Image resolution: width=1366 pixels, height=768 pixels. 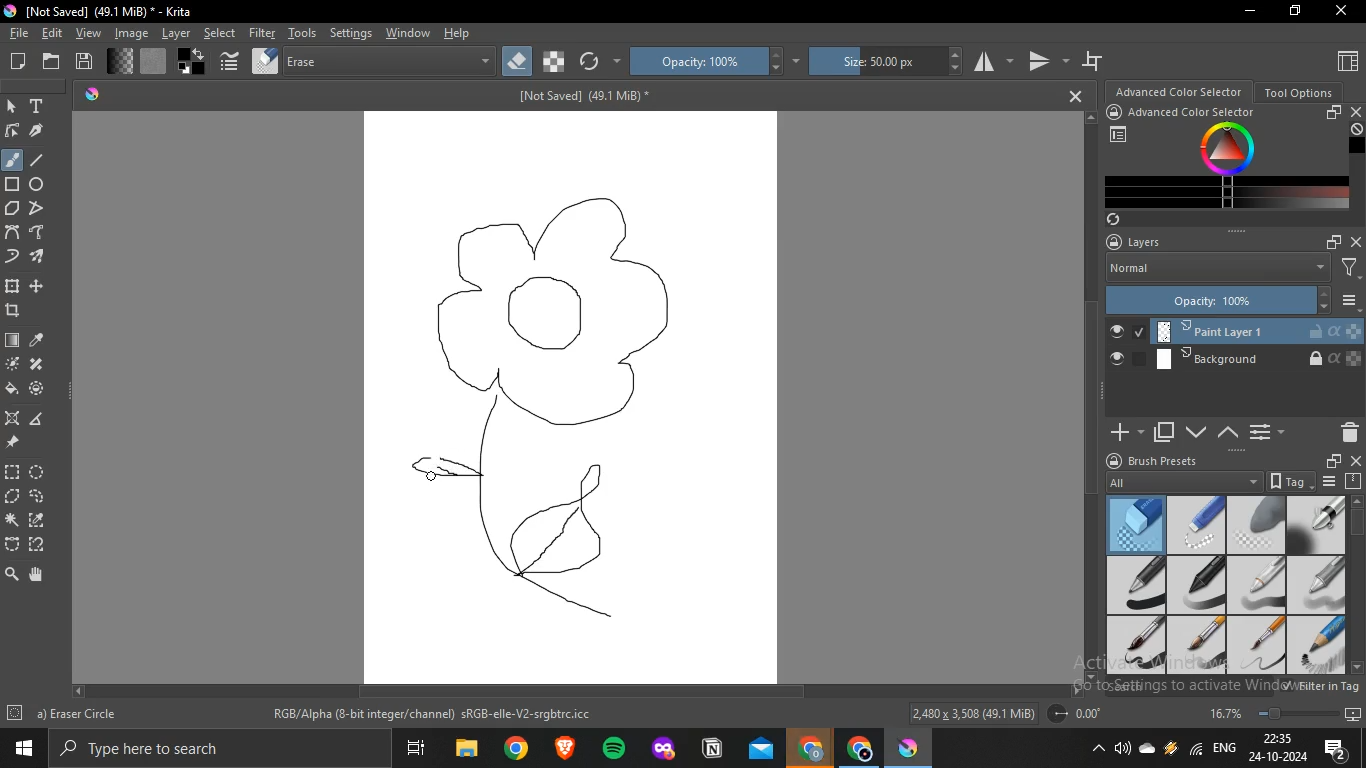 I want to click on tools, so click(x=303, y=33).